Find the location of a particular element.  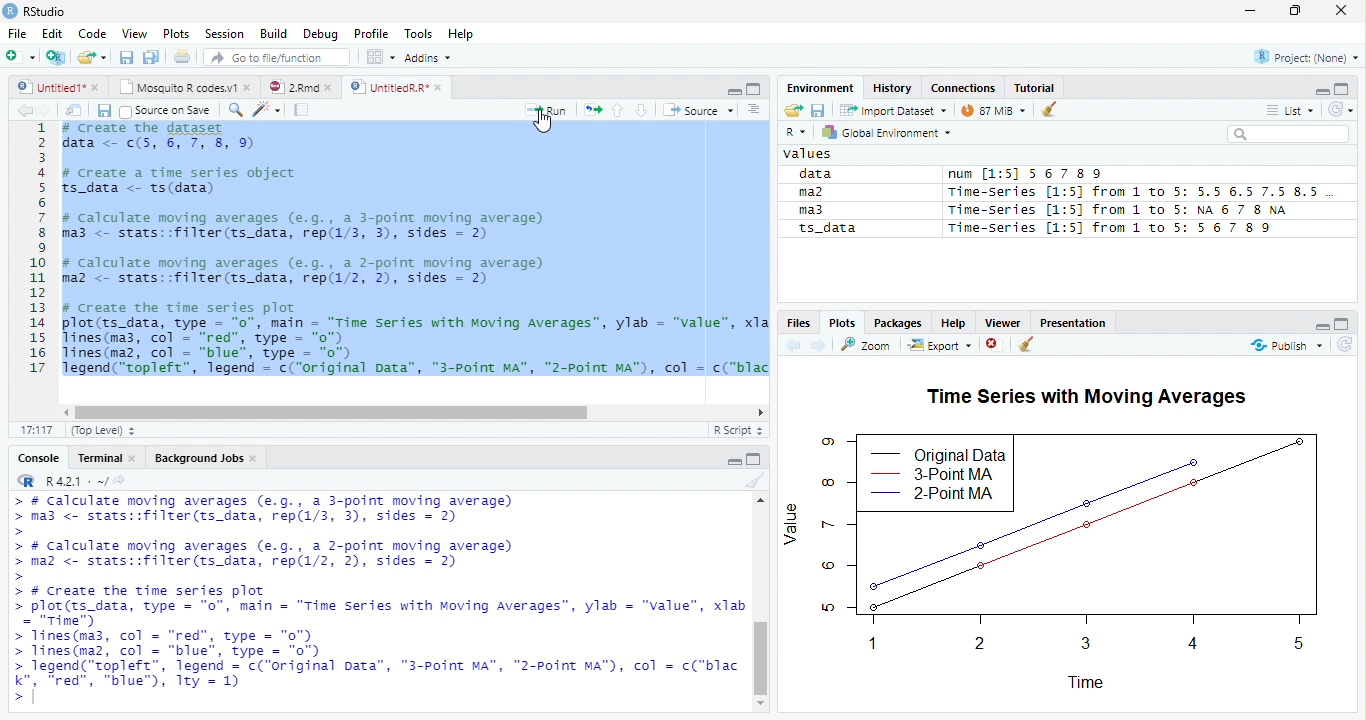

vertical scrollbar is located at coordinates (761, 619).